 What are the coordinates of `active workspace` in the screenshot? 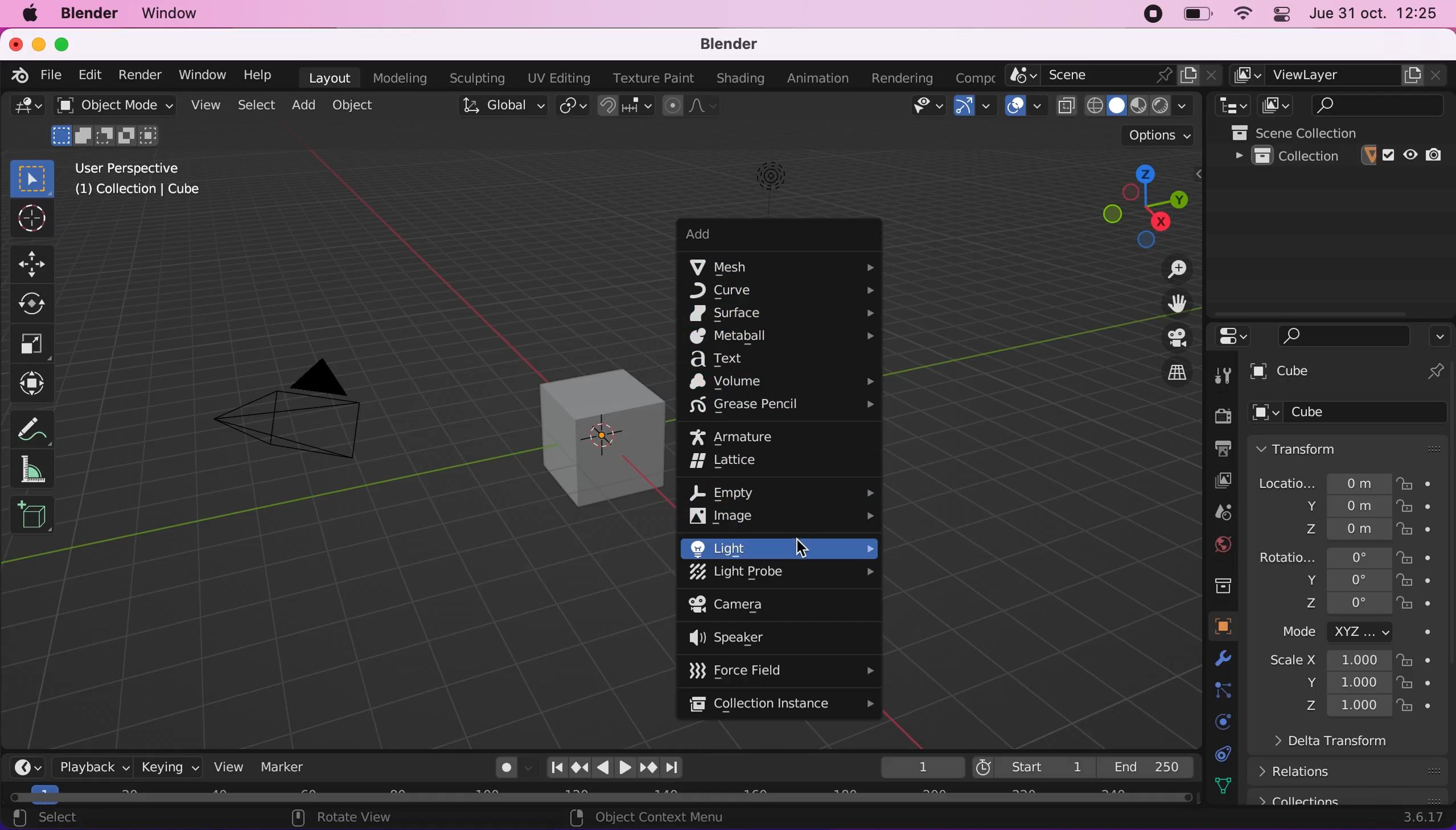 It's located at (970, 78).